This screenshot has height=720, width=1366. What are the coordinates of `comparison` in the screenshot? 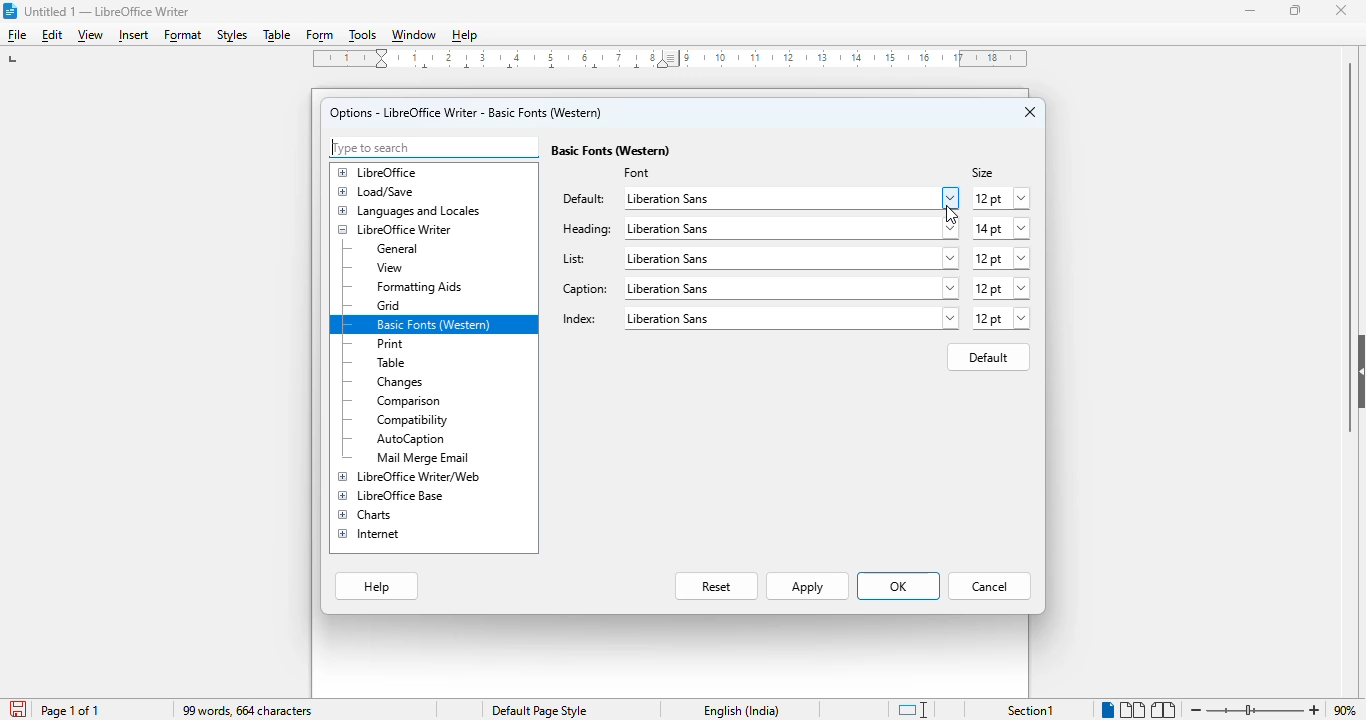 It's located at (409, 403).